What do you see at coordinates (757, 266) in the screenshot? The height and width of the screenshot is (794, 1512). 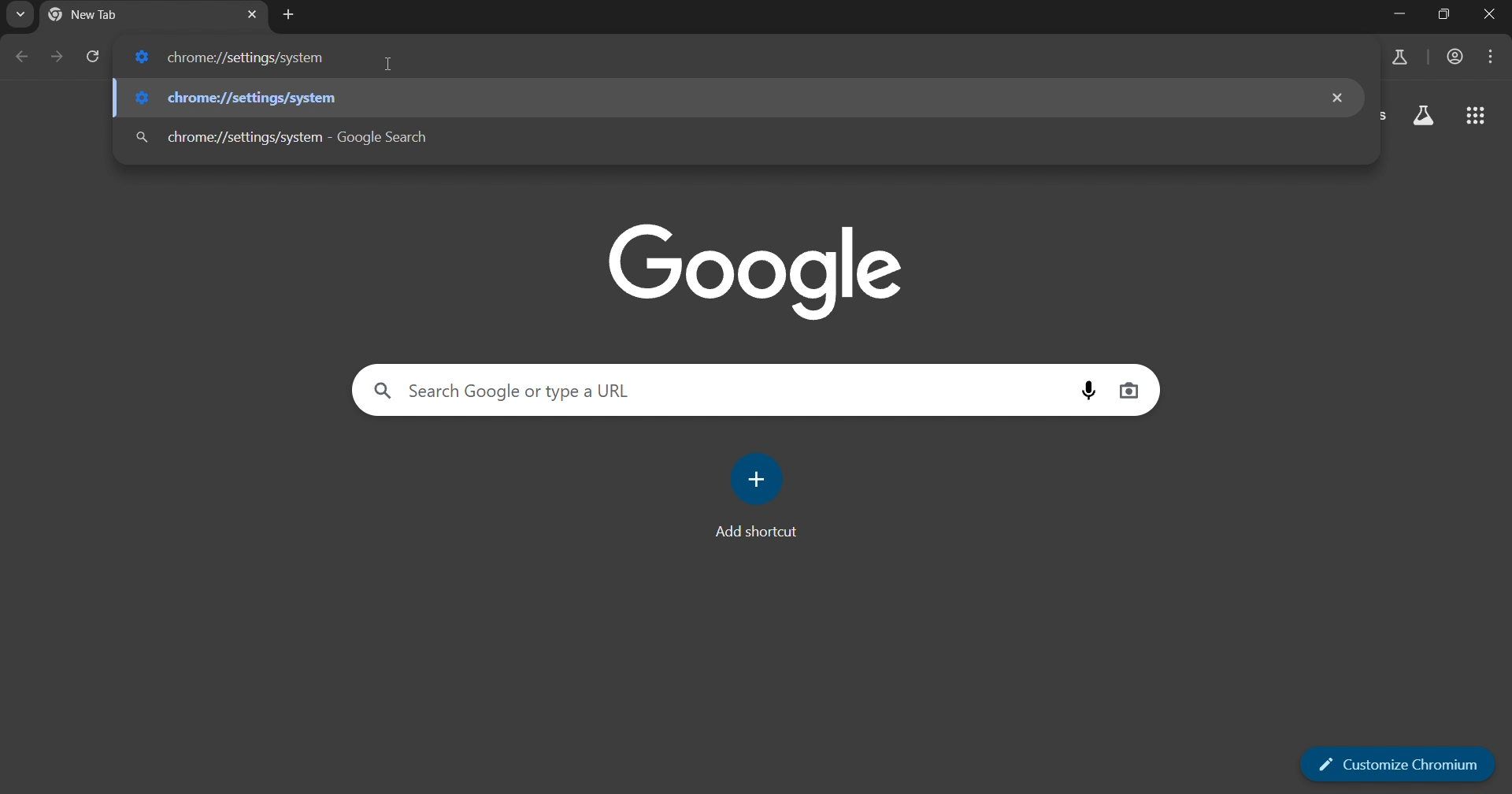 I see `google` at bounding box center [757, 266].